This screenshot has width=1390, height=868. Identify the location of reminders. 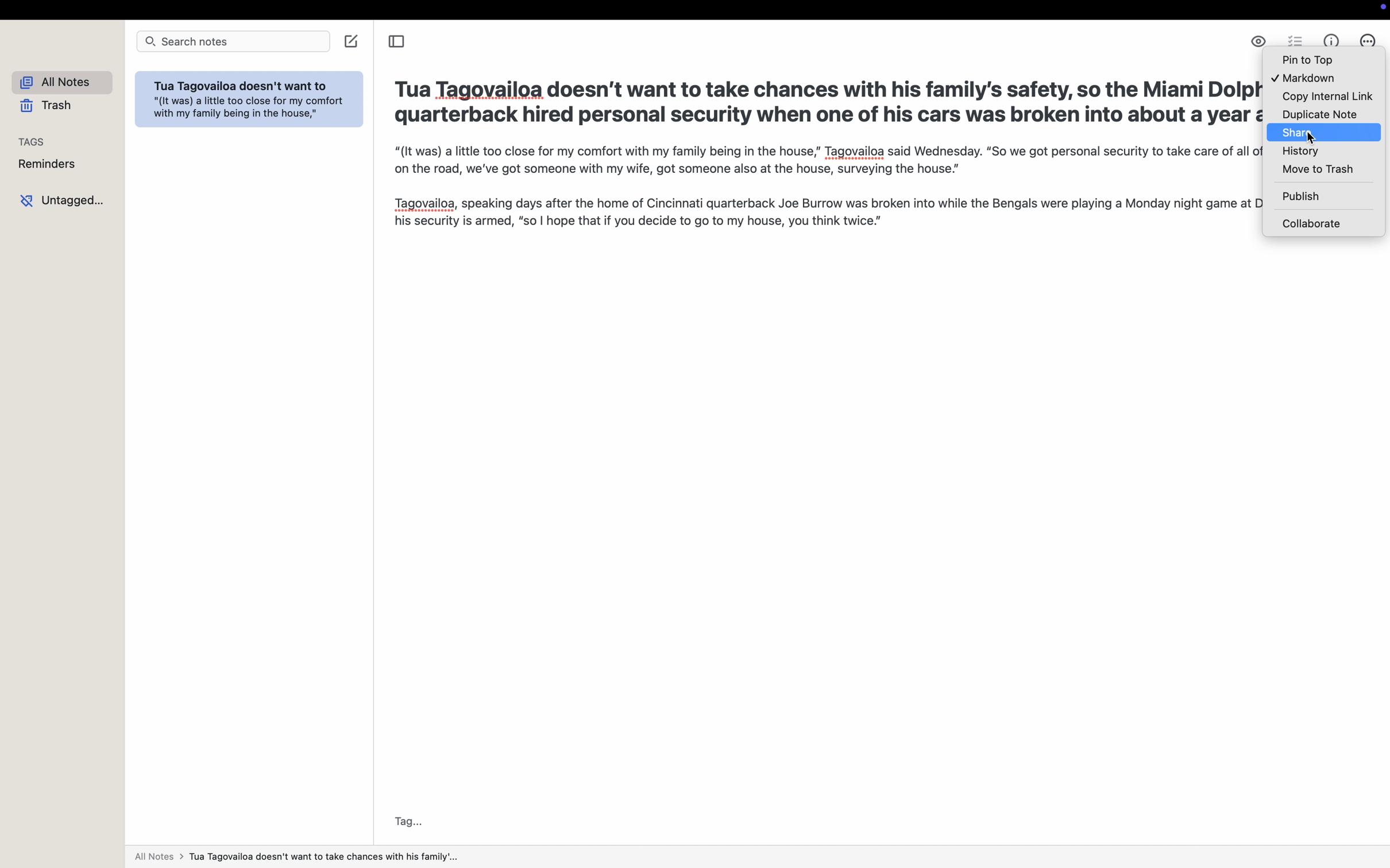
(47, 164).